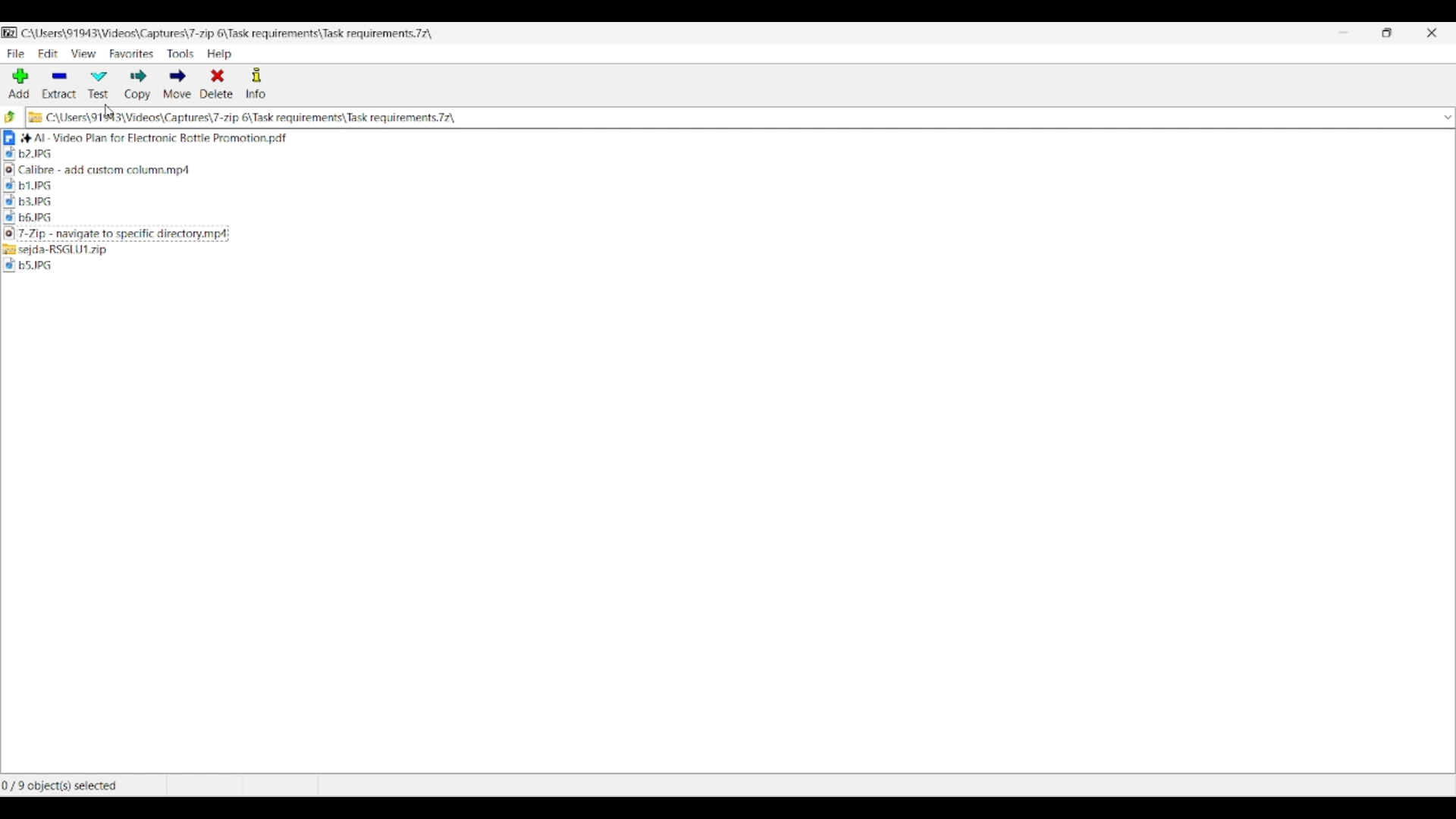  Describe the element at coordinates (181, 54) in the screenshot. I see `Tools menu` at that location.